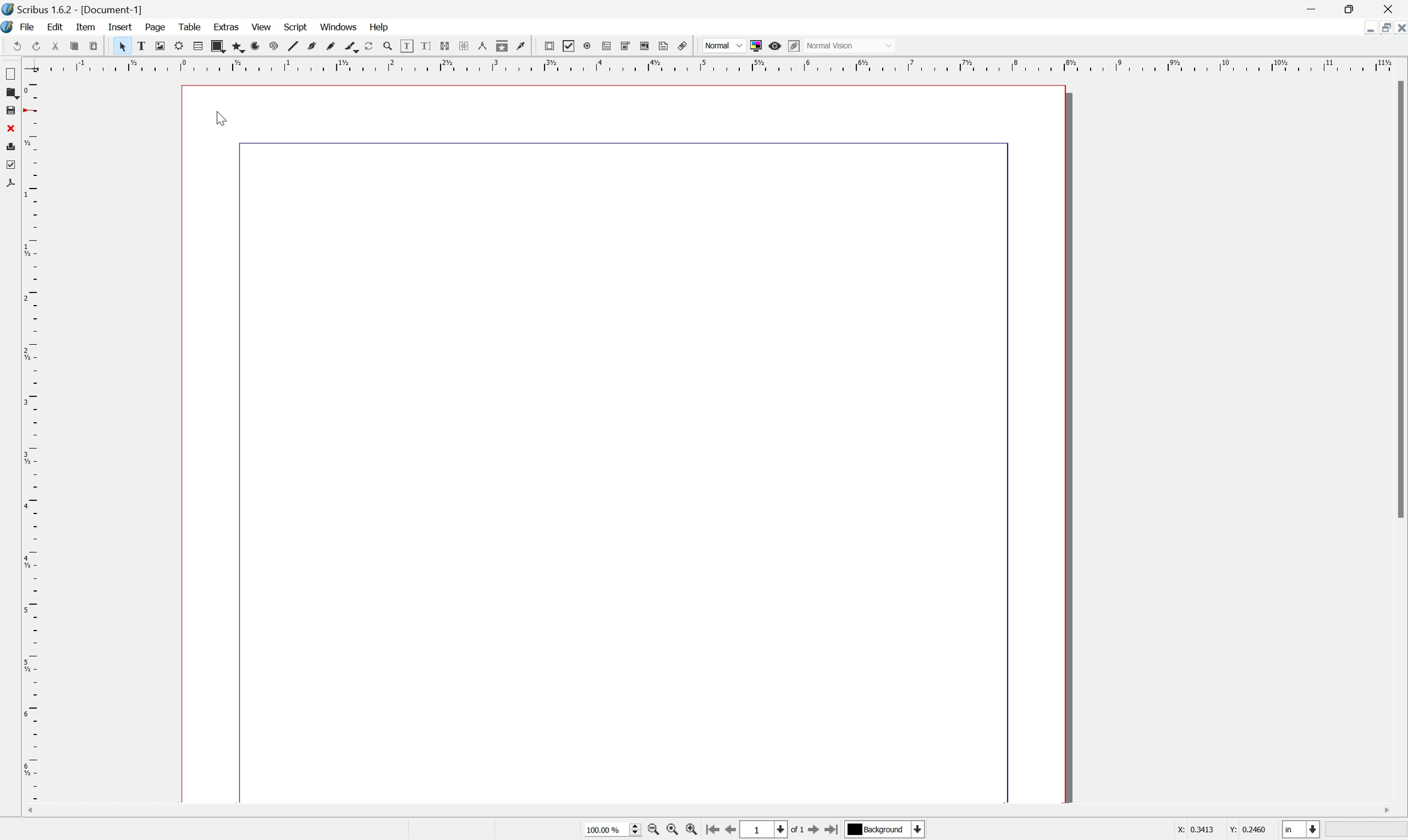 Image resolution: width=1408 pixels, height=840 pixels. What do you see at coordinates (367, 46) in the screenshot?
I see `polygon` at bounding box center [367, 46].